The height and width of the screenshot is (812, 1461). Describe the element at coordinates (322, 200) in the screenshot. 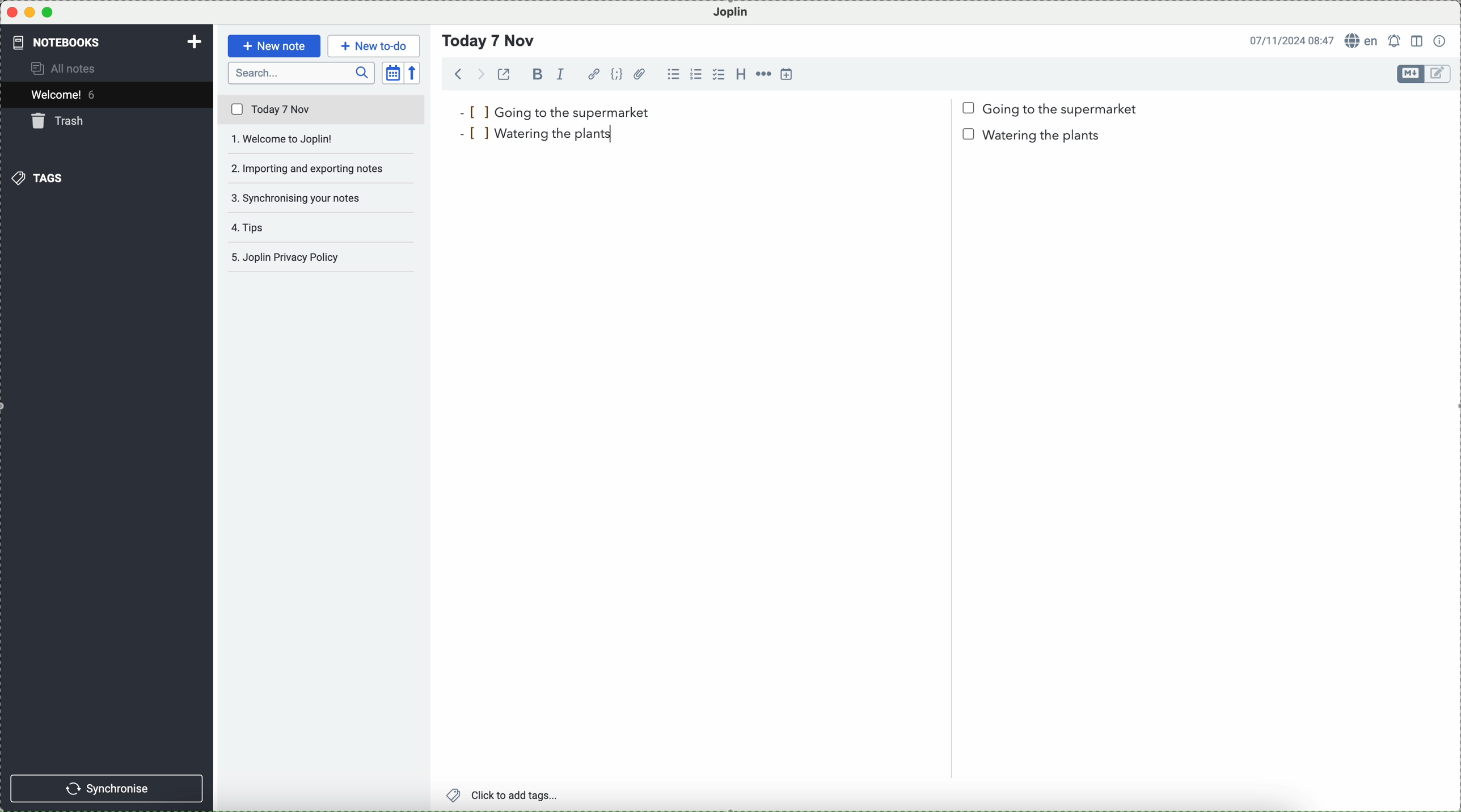

I see `synchronising your notes` at that location.